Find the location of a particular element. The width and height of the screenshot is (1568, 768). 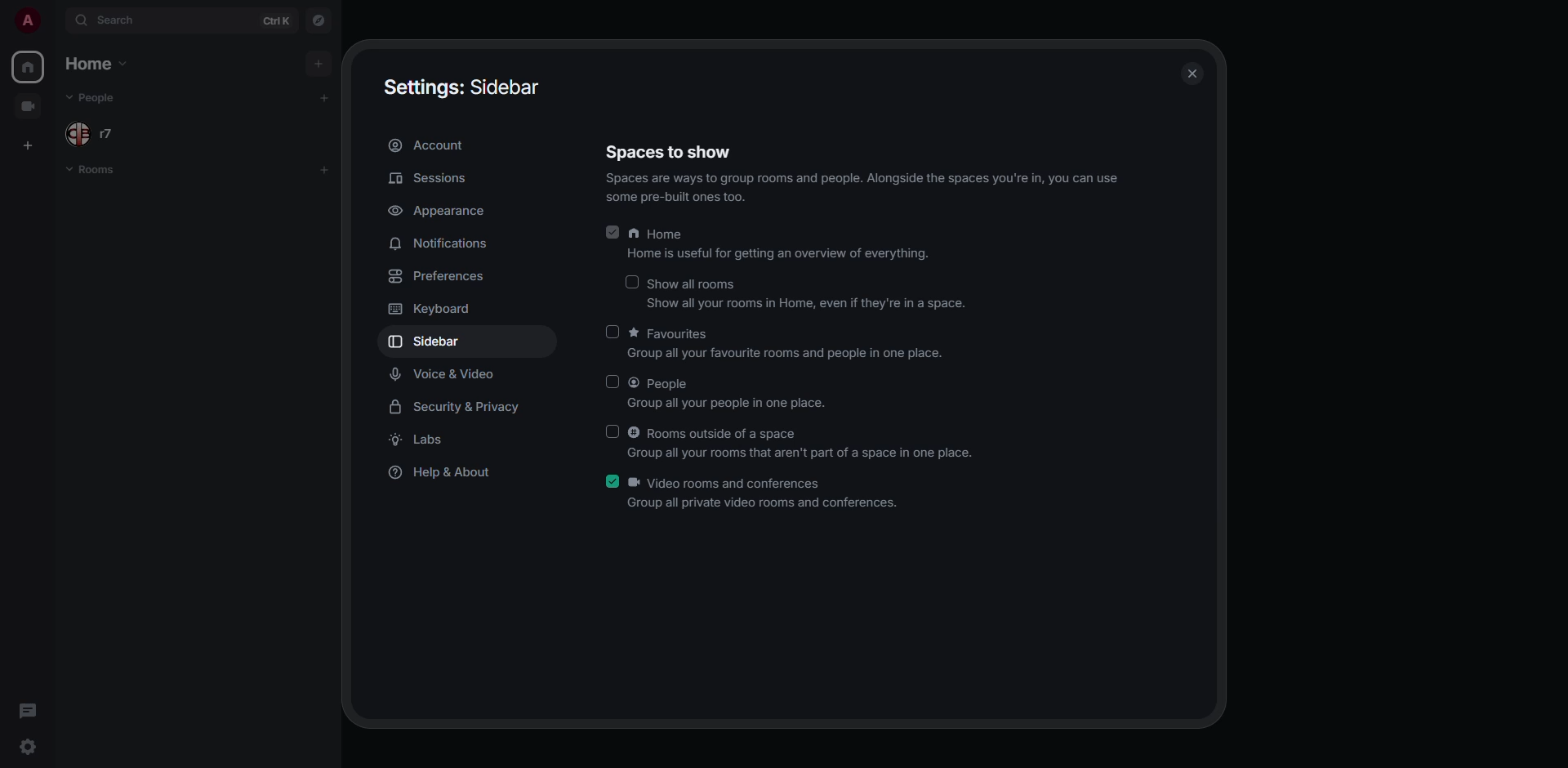

settings sidebar is located at coordinates (459, 86).